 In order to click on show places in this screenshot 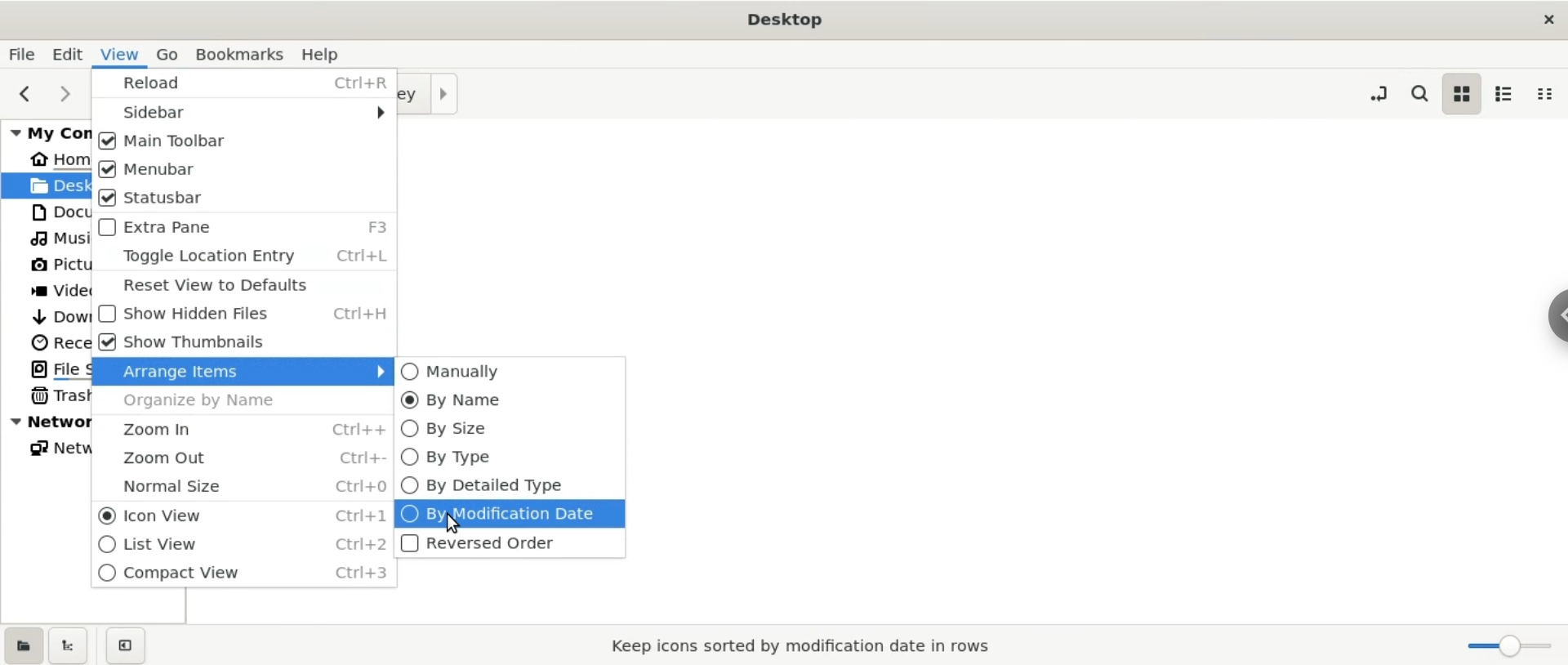, I will do `click(23, 645)`.